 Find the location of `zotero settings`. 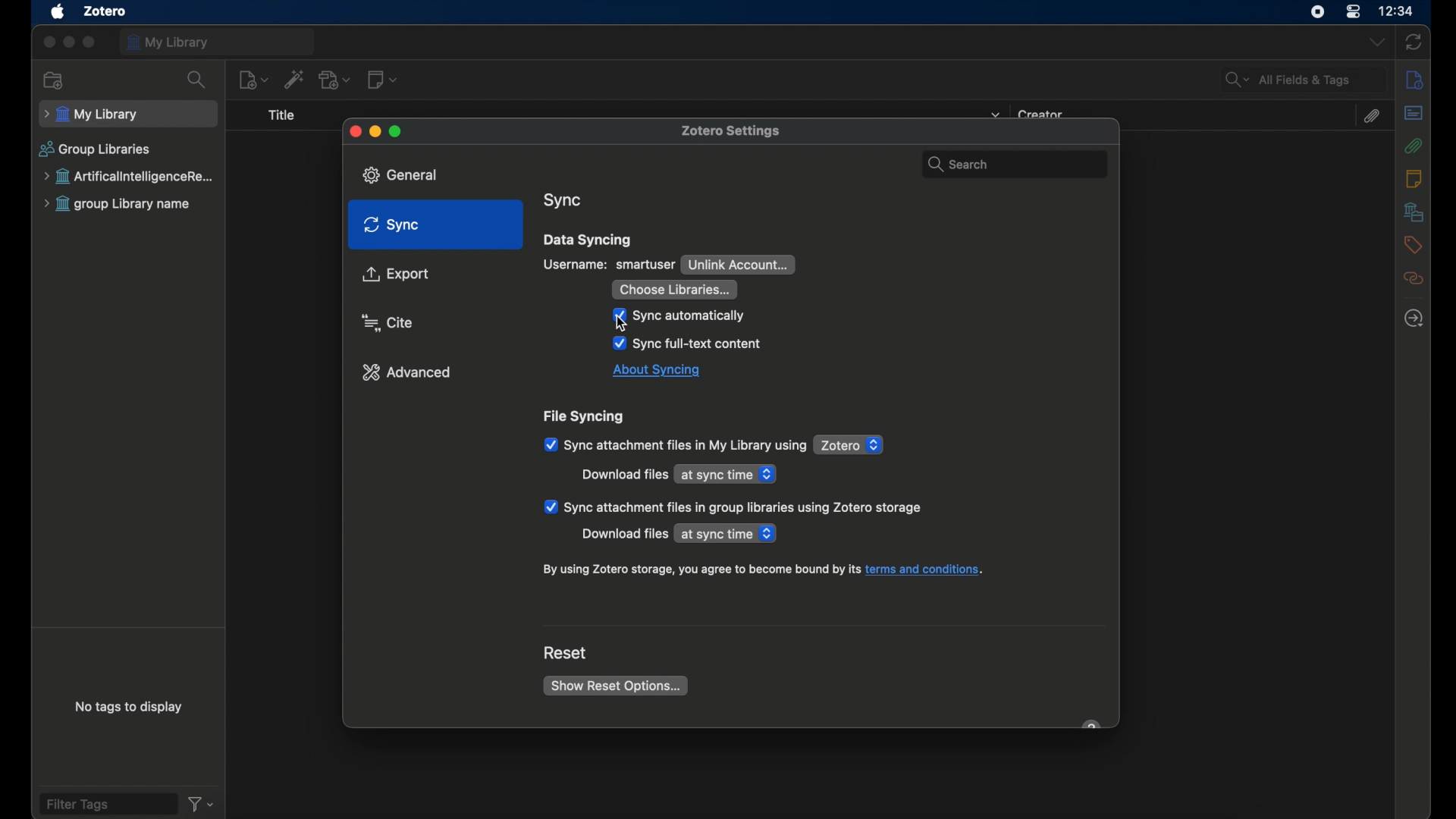

zotero settings is located at coordinates (736, 130).